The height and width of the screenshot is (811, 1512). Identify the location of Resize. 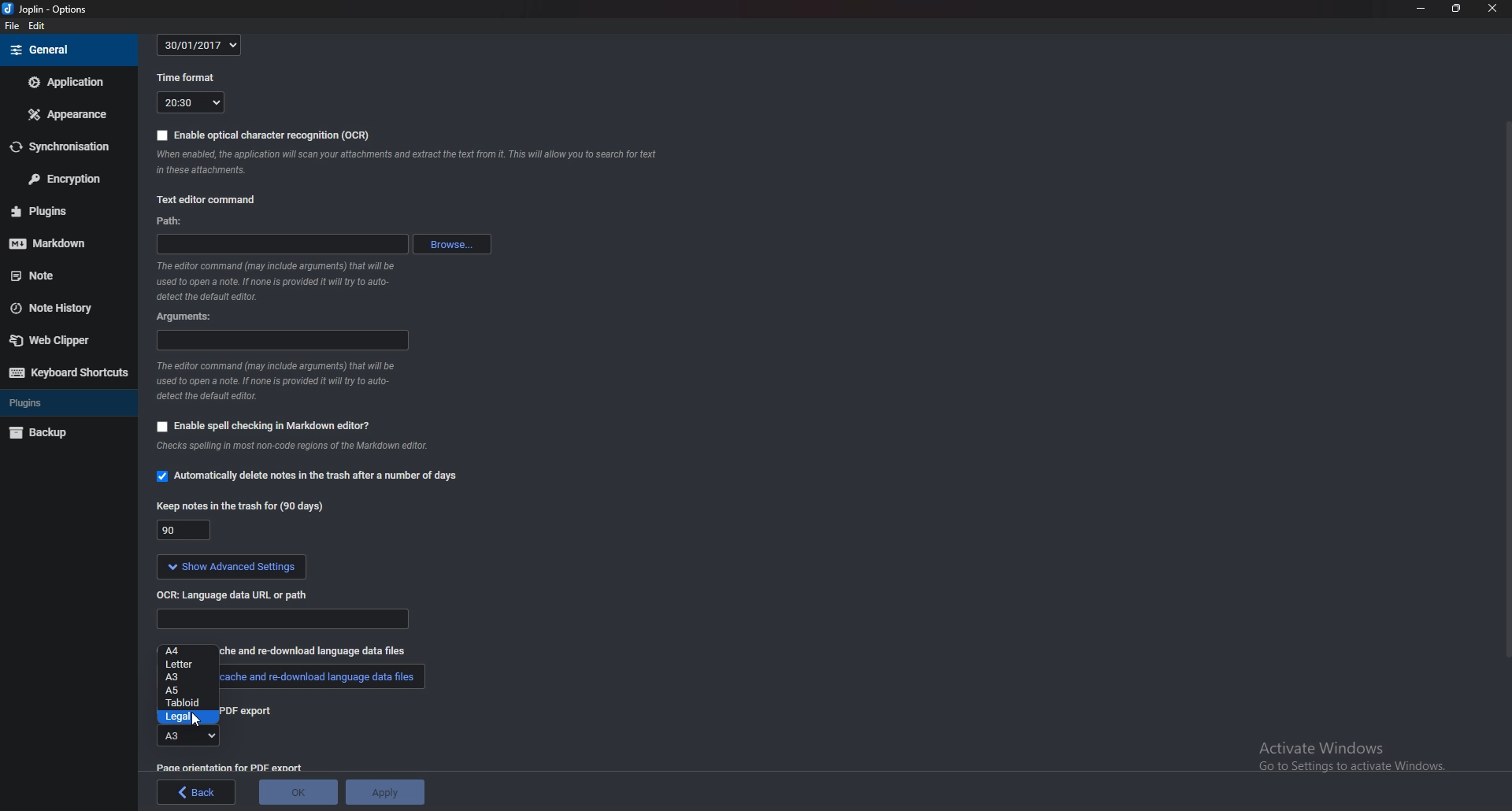
(1457, 8).